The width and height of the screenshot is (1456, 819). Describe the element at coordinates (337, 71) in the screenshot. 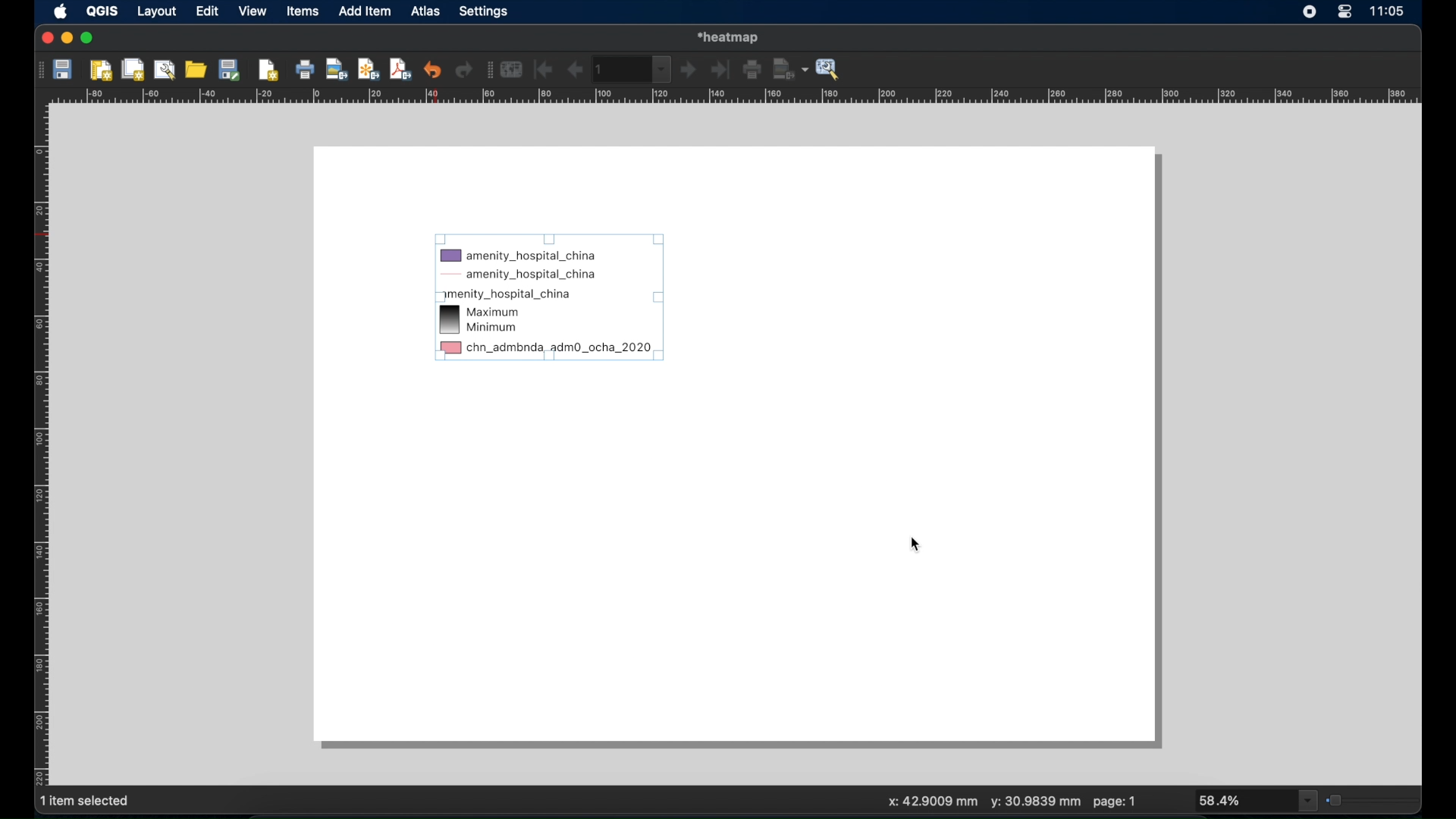

I see `export as image` at that location.